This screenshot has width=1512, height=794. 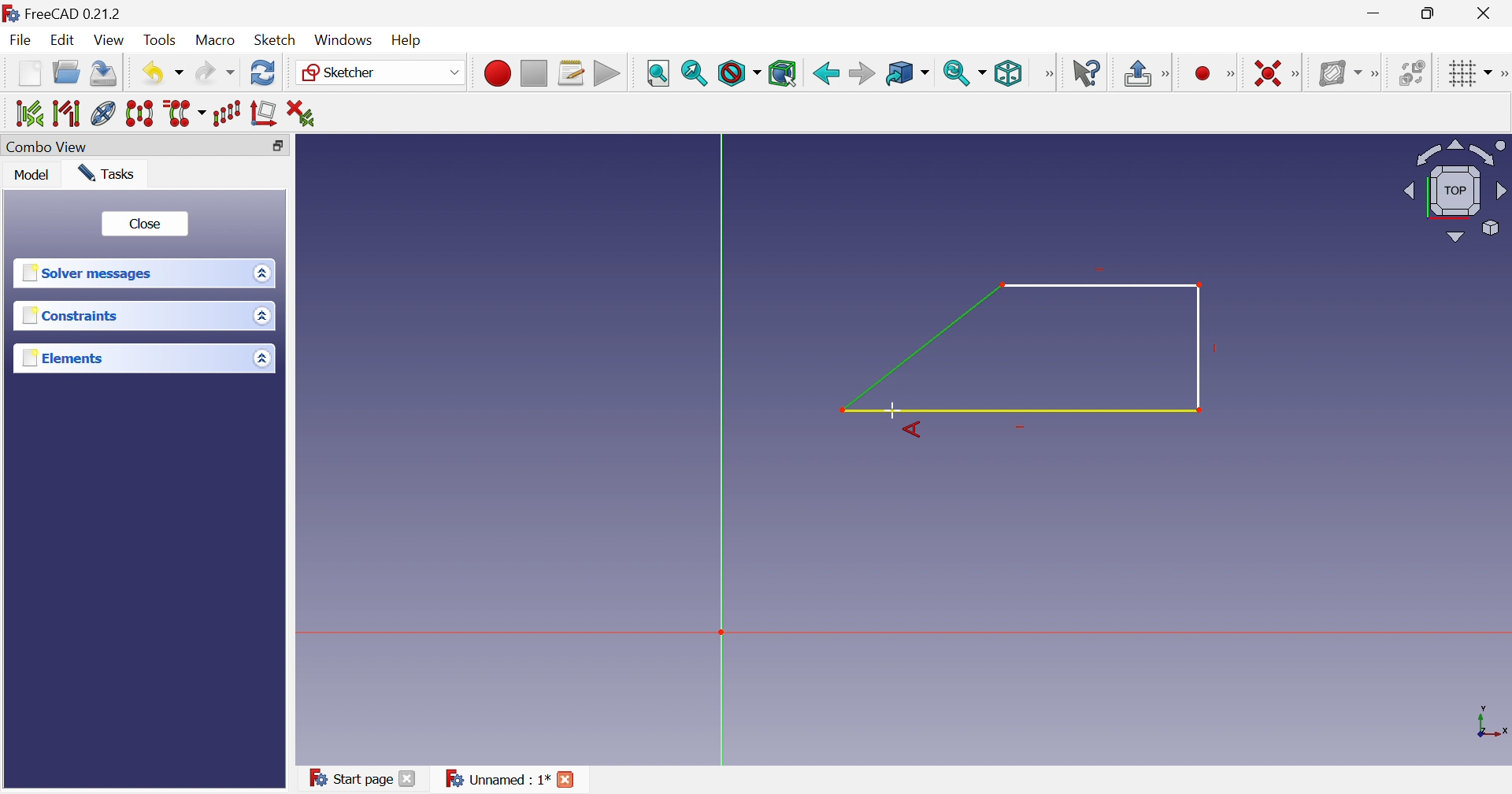 What do you see at coordinates (1374, 71) in the screenshot?
I see `More` at bounding box center [1374, 71].